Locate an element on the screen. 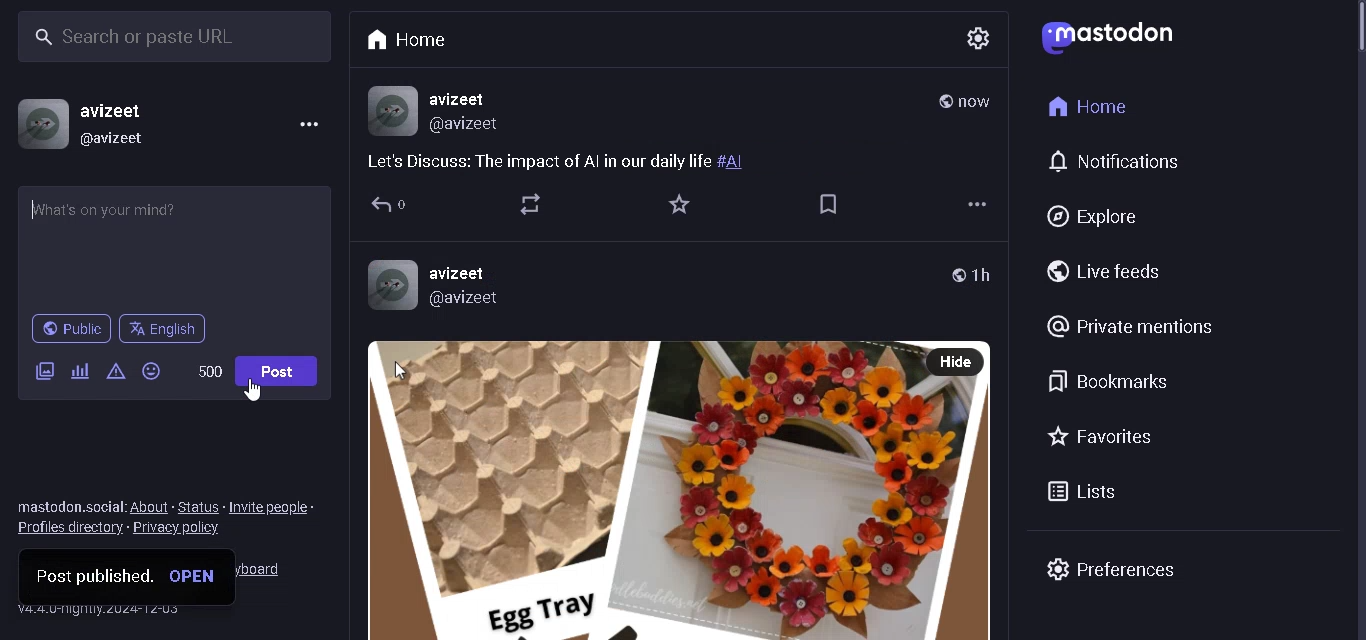  PUBLIC is located at coordinates (69, 329).